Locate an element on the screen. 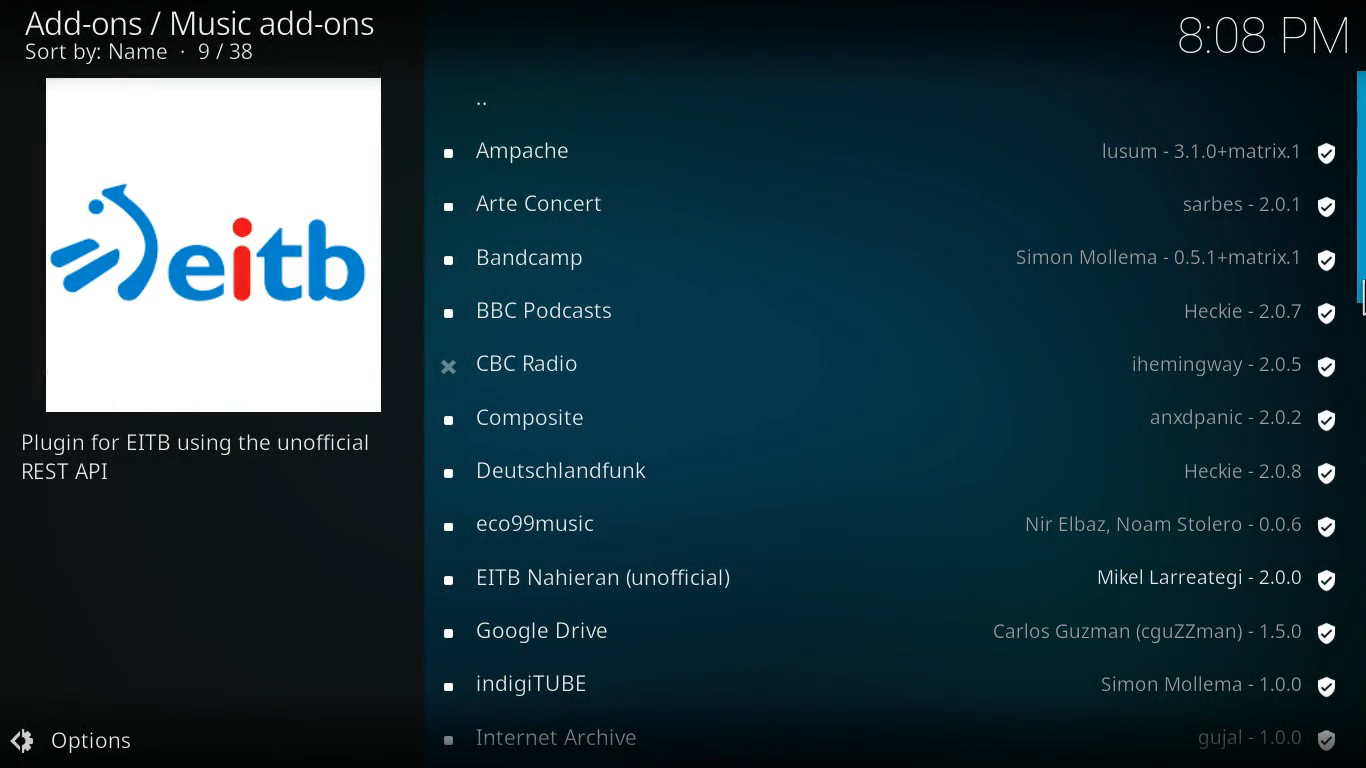 The width and height of the screenshot is (1366, 768). provide is located at coordinates (1215, 148).